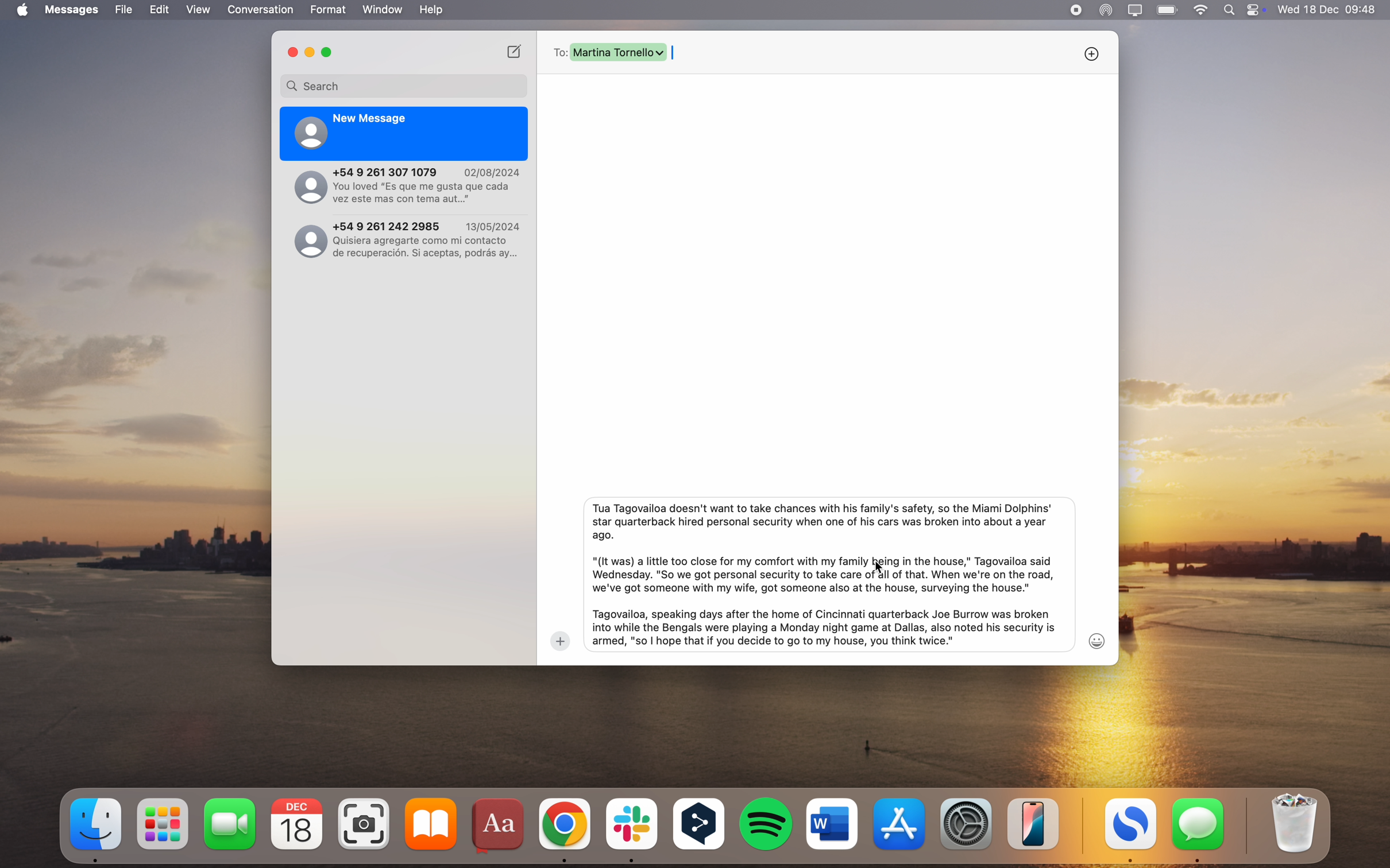 The width and height of the screenshot is (1390, 868). What do you see at coordinates (565, 828) in the screenshot?
I see `Google Chrome` at bounding box center [565, 828].